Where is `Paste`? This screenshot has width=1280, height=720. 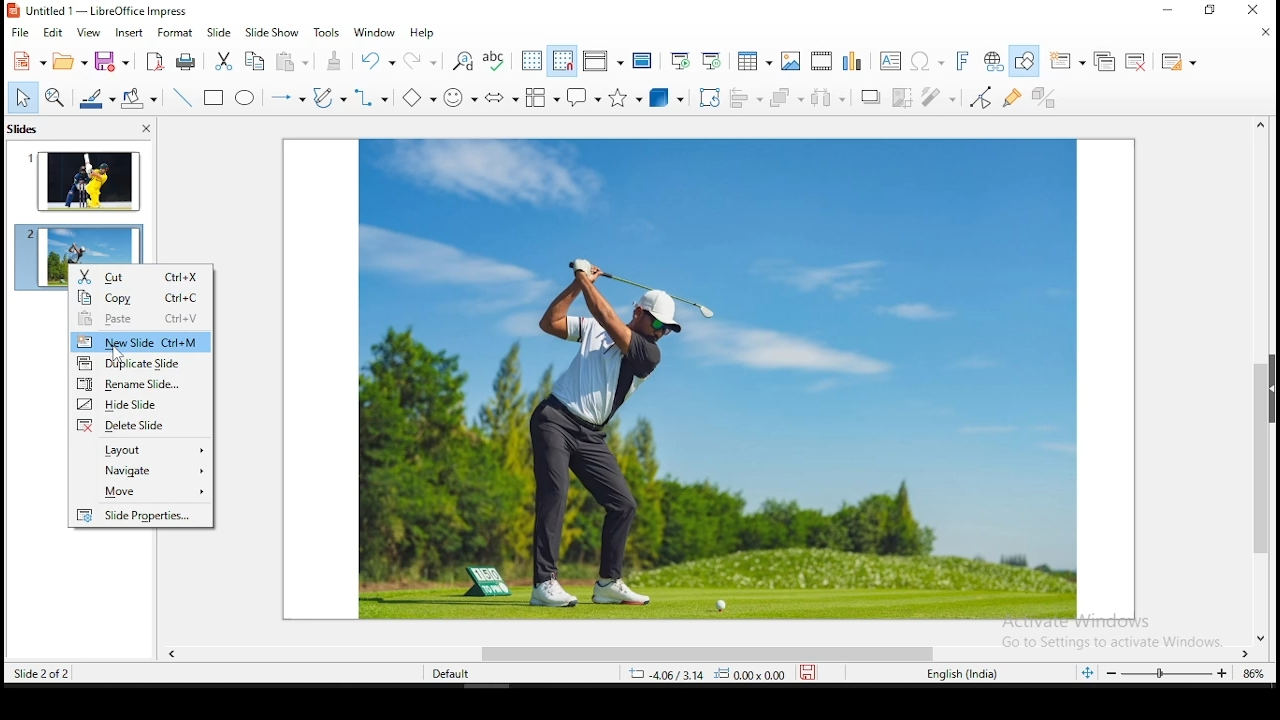 Paste is located at coordinates (142, 318).